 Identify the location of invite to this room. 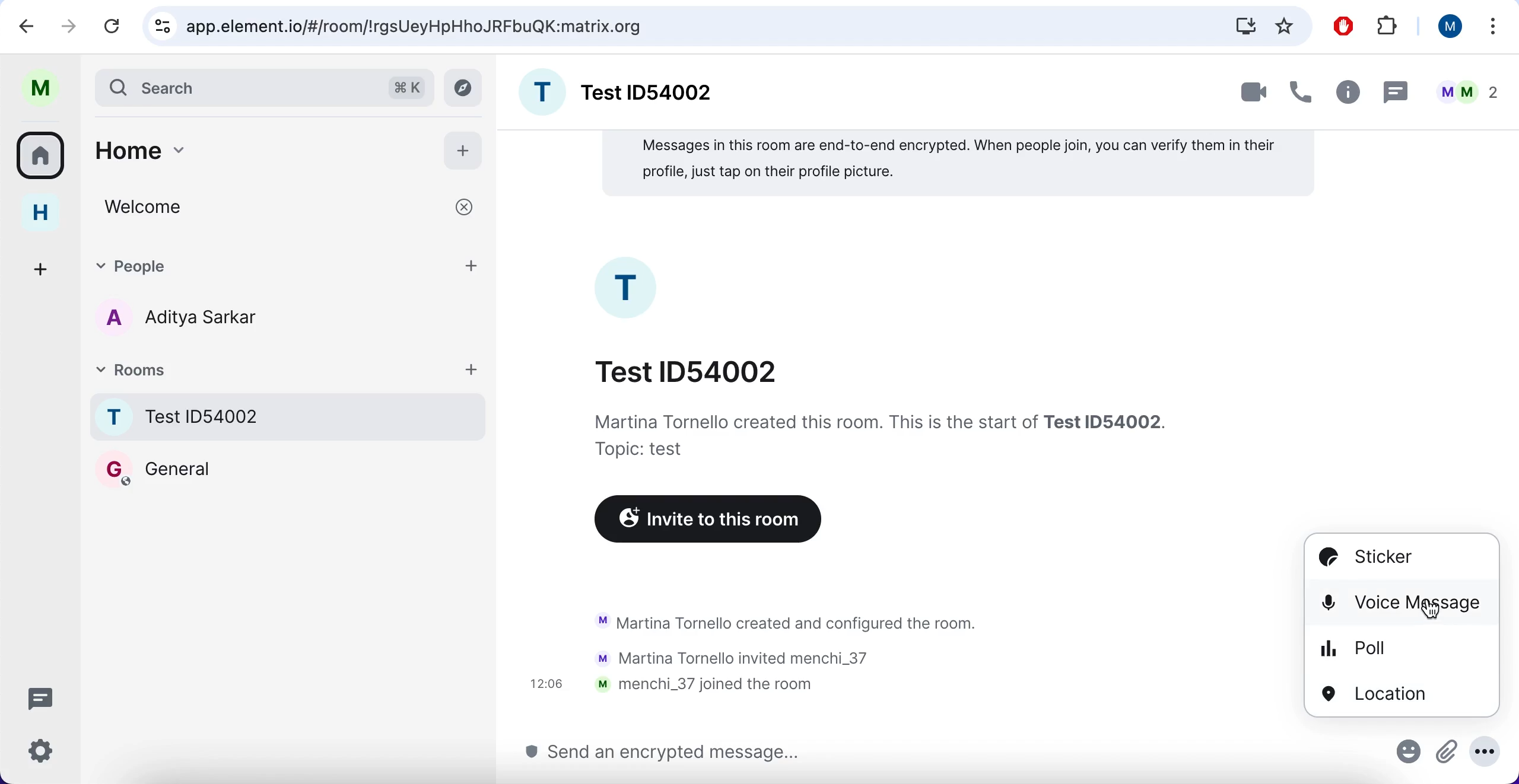
(703, 520).